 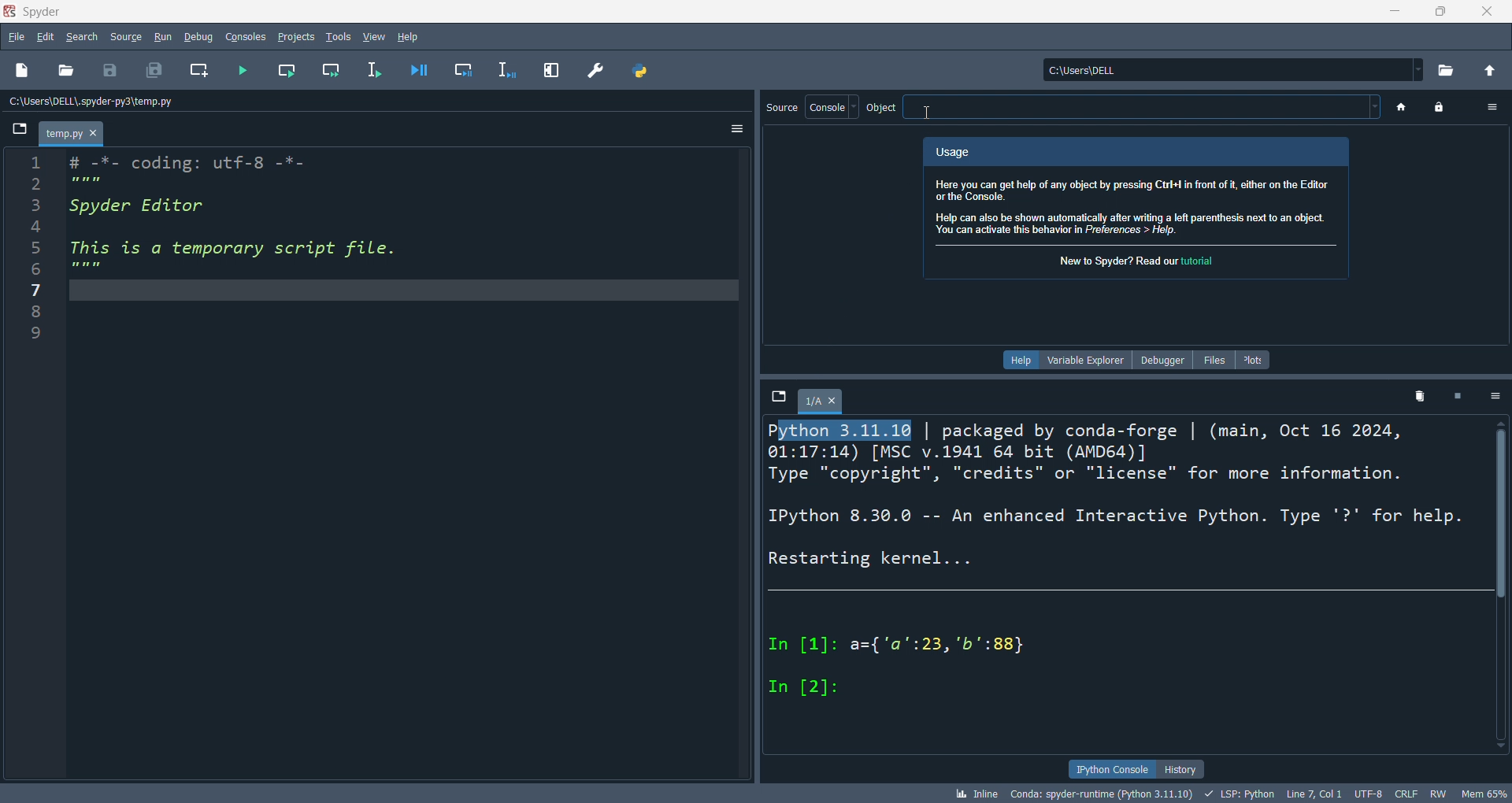 What do you see at coordinates (201, 35) in the screenshot?
I see `debug` at bounding box center [201, 35].